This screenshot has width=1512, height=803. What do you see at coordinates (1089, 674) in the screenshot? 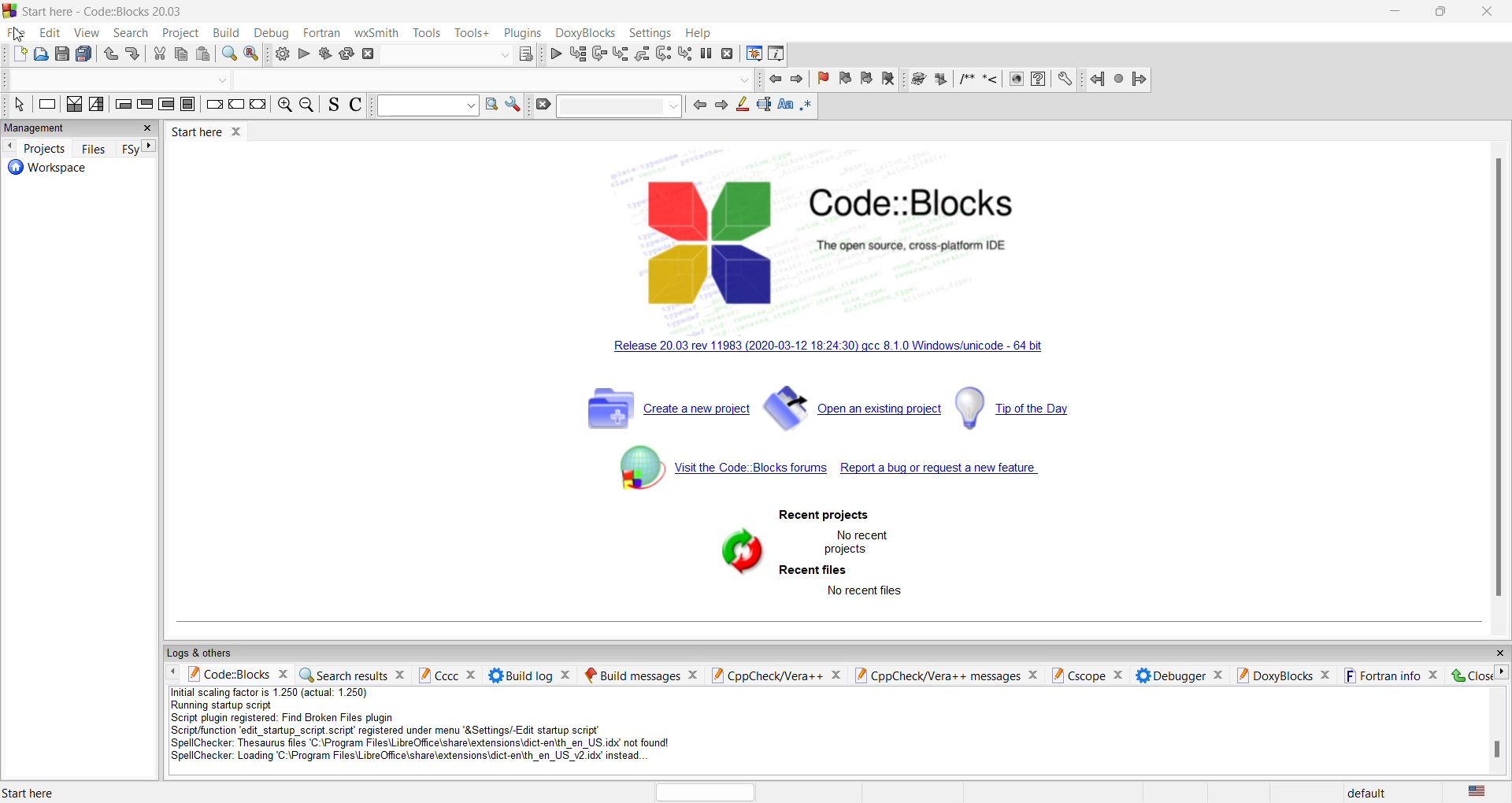
I see `Cscope` at bounding box center [1089, 674].